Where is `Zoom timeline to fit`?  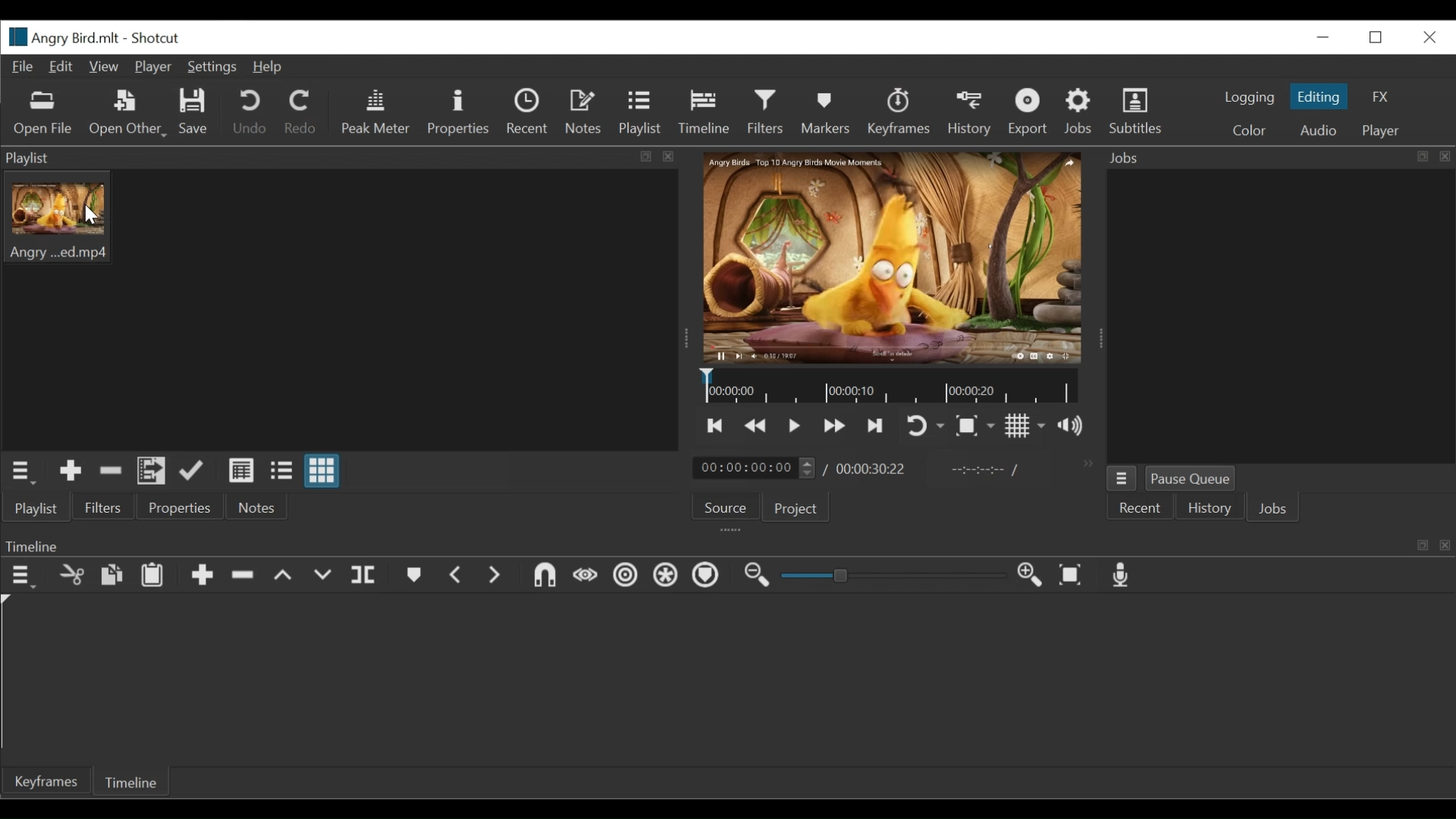 Zoom timeline to fit is located at coordinates (1072, 576).